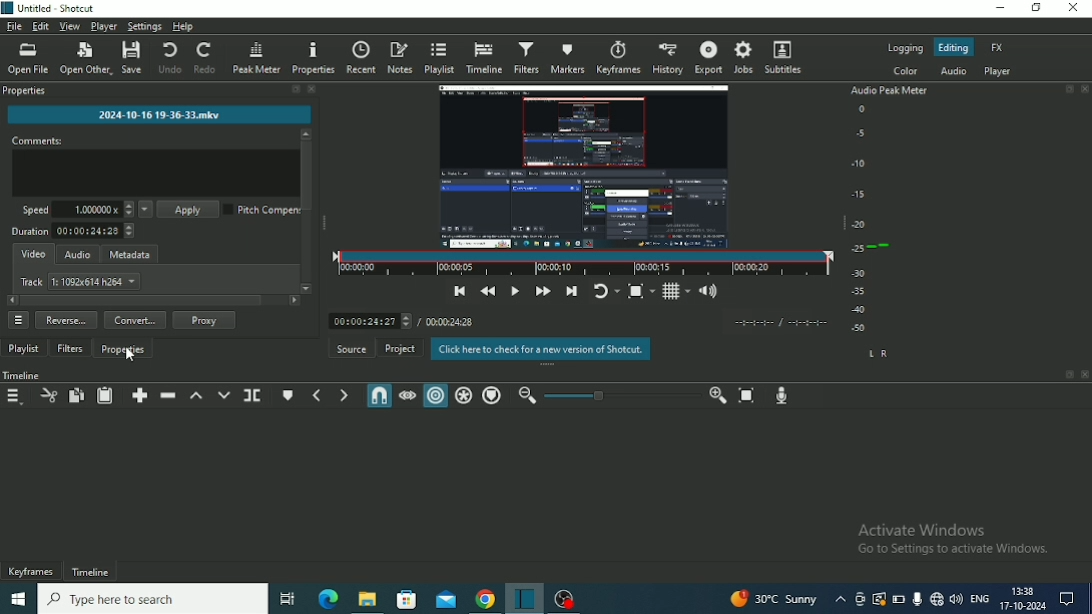 The width and height of the screenshot is (1092, 614). What do you see at coordinates (132, 358) in the screenshot?
I see `mouse pointer` at bounding box center [132, 358].